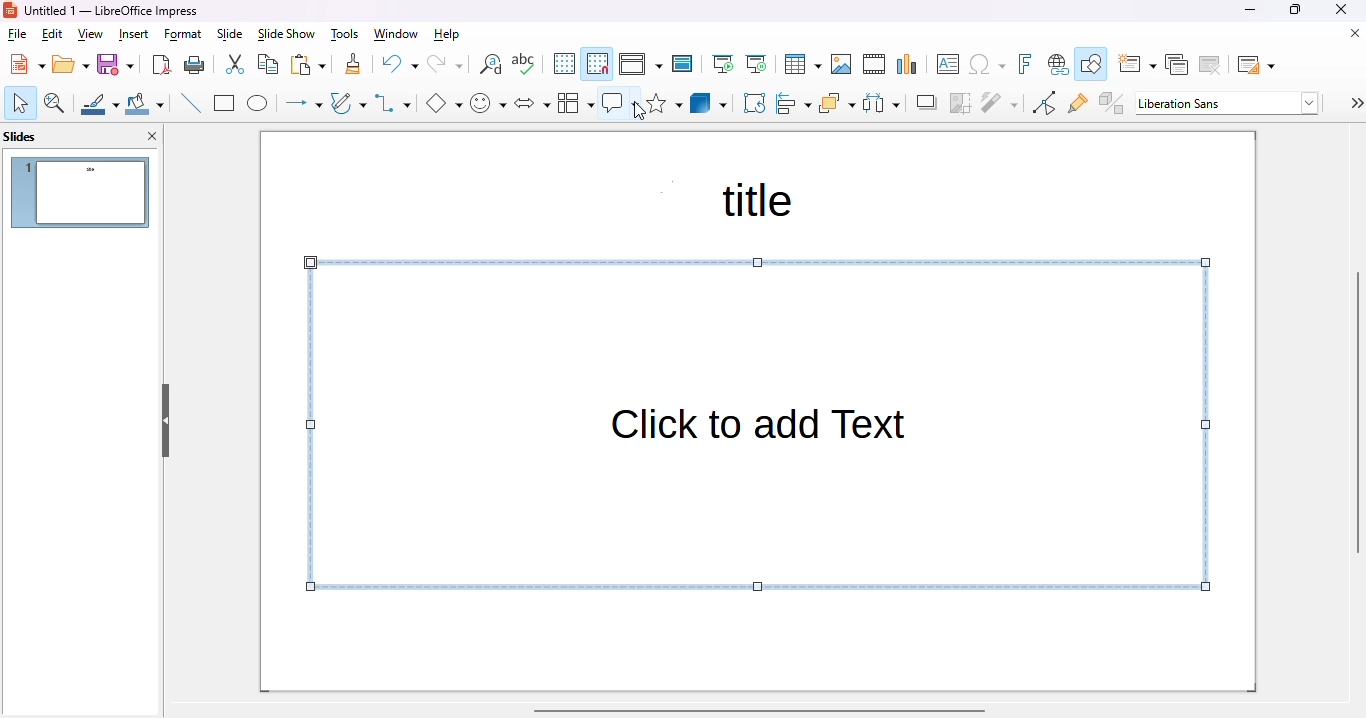 This screenshot has width=1366, height=718. What do you see at coordinates (166, 420) in the screenshot?
I see `hide` at bounding box center [166, 420].